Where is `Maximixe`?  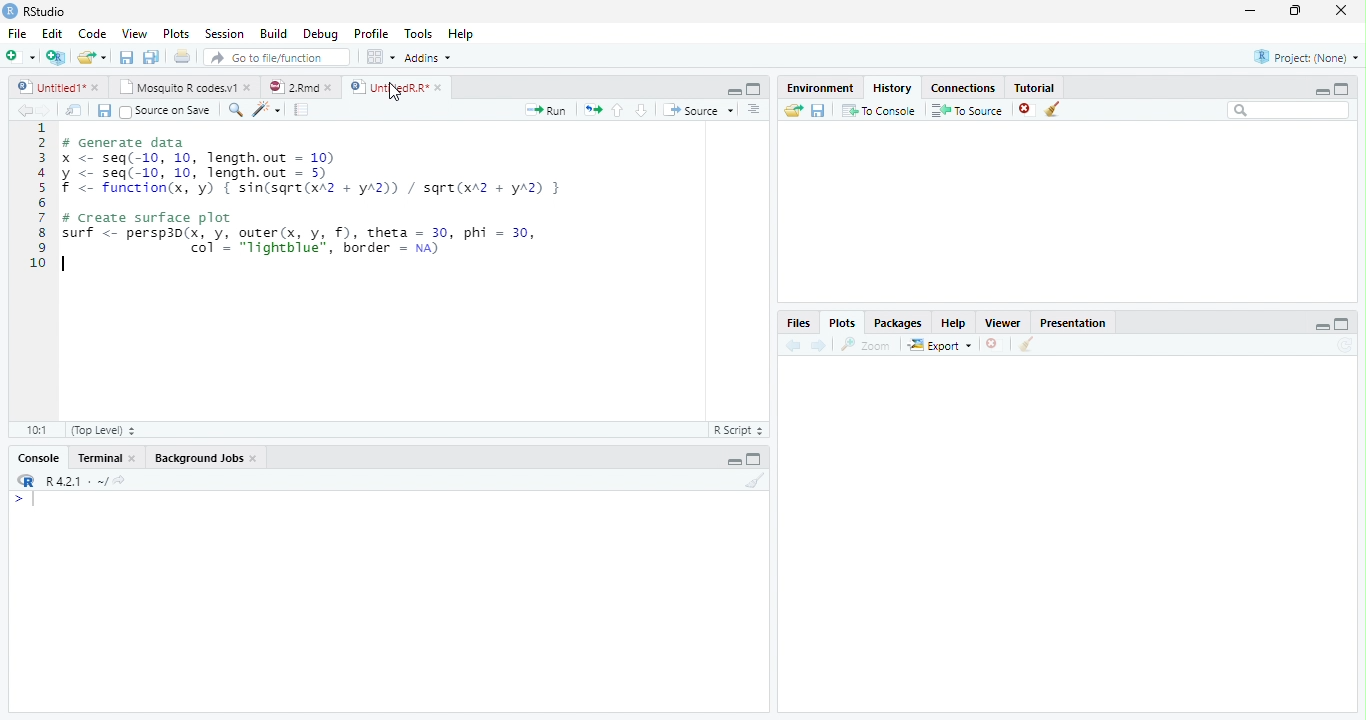
Maximixe is located at coordinates (754, 88).